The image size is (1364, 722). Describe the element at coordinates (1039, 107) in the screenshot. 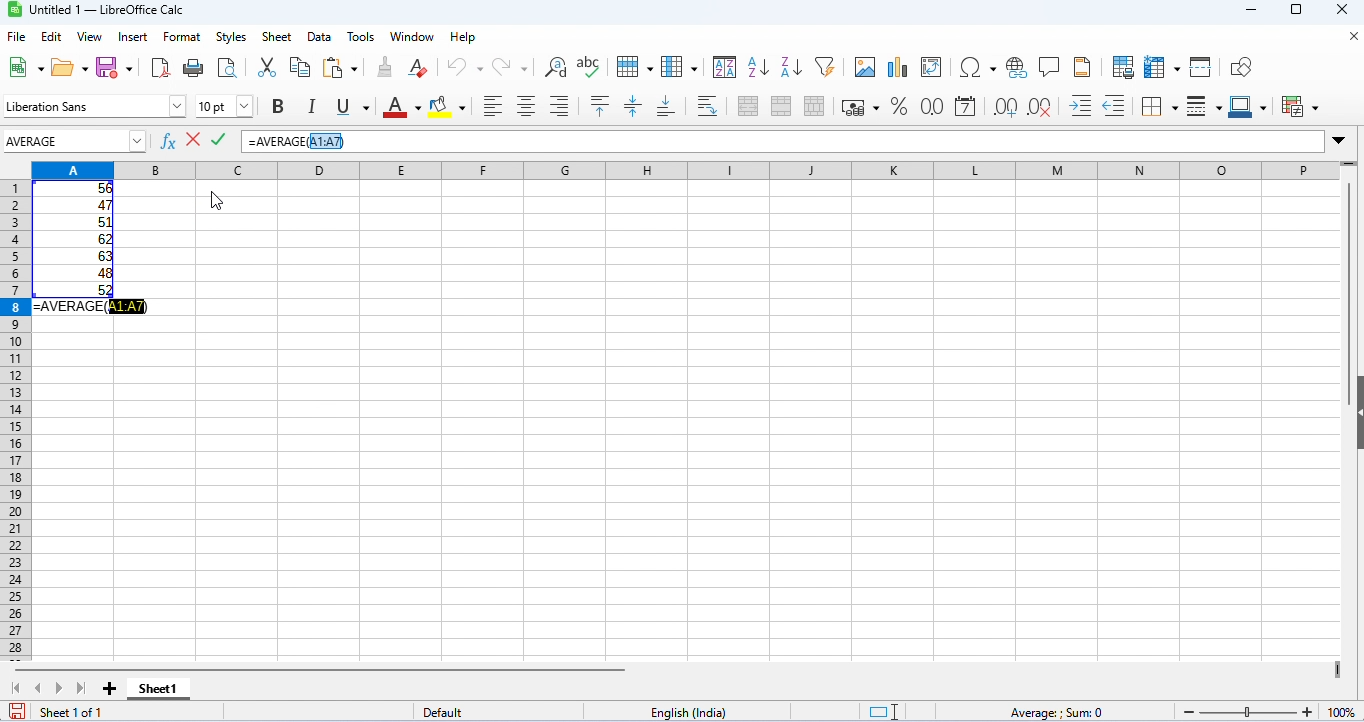

I see `delete decimal place` at that location.